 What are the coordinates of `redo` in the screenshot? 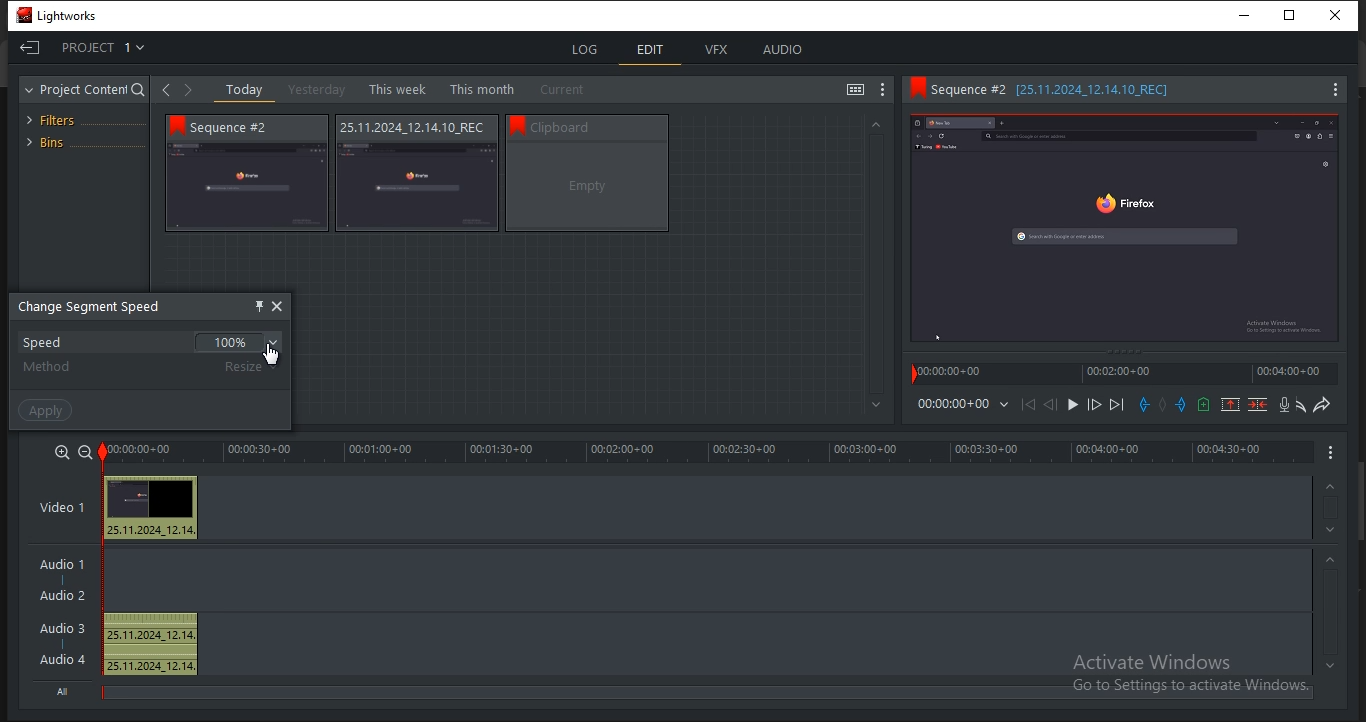 It's located at (1324, 404).